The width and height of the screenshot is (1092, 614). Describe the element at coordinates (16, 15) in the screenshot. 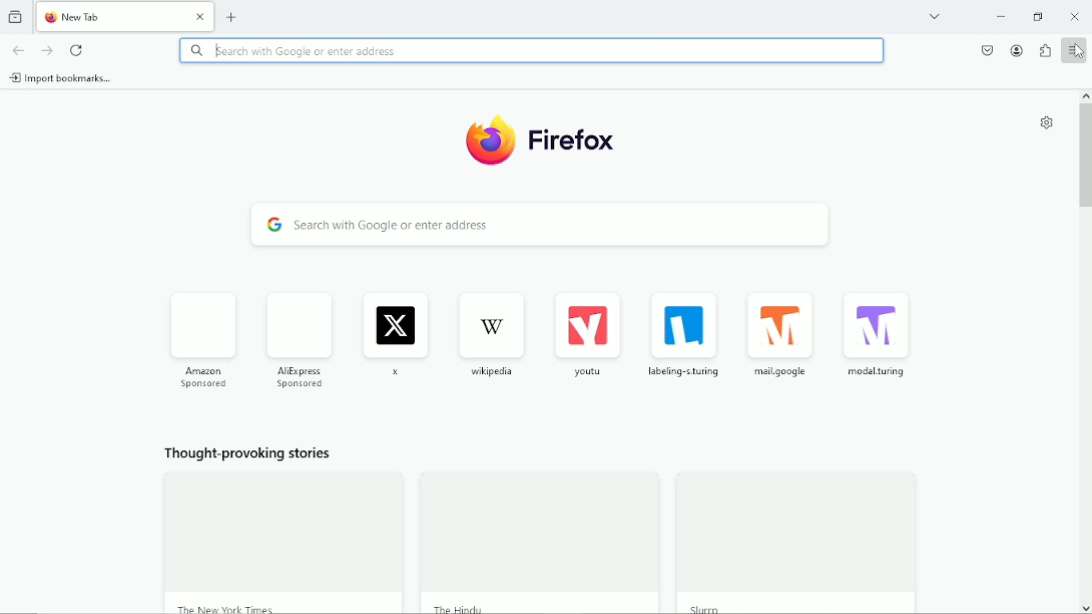

I see `View recent browsing` at that location.